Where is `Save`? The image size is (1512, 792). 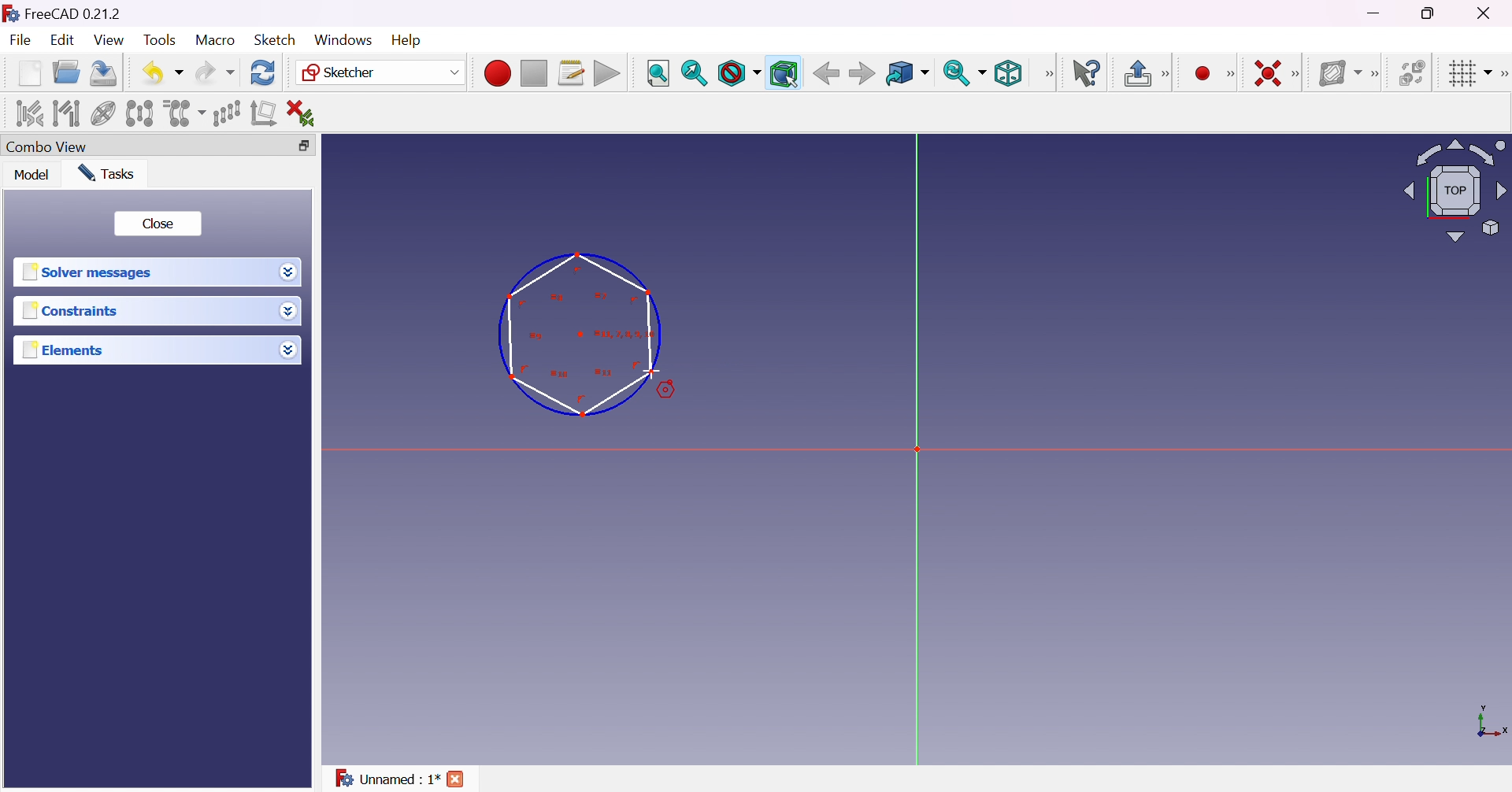
Save is located at coordinates (104, 73).